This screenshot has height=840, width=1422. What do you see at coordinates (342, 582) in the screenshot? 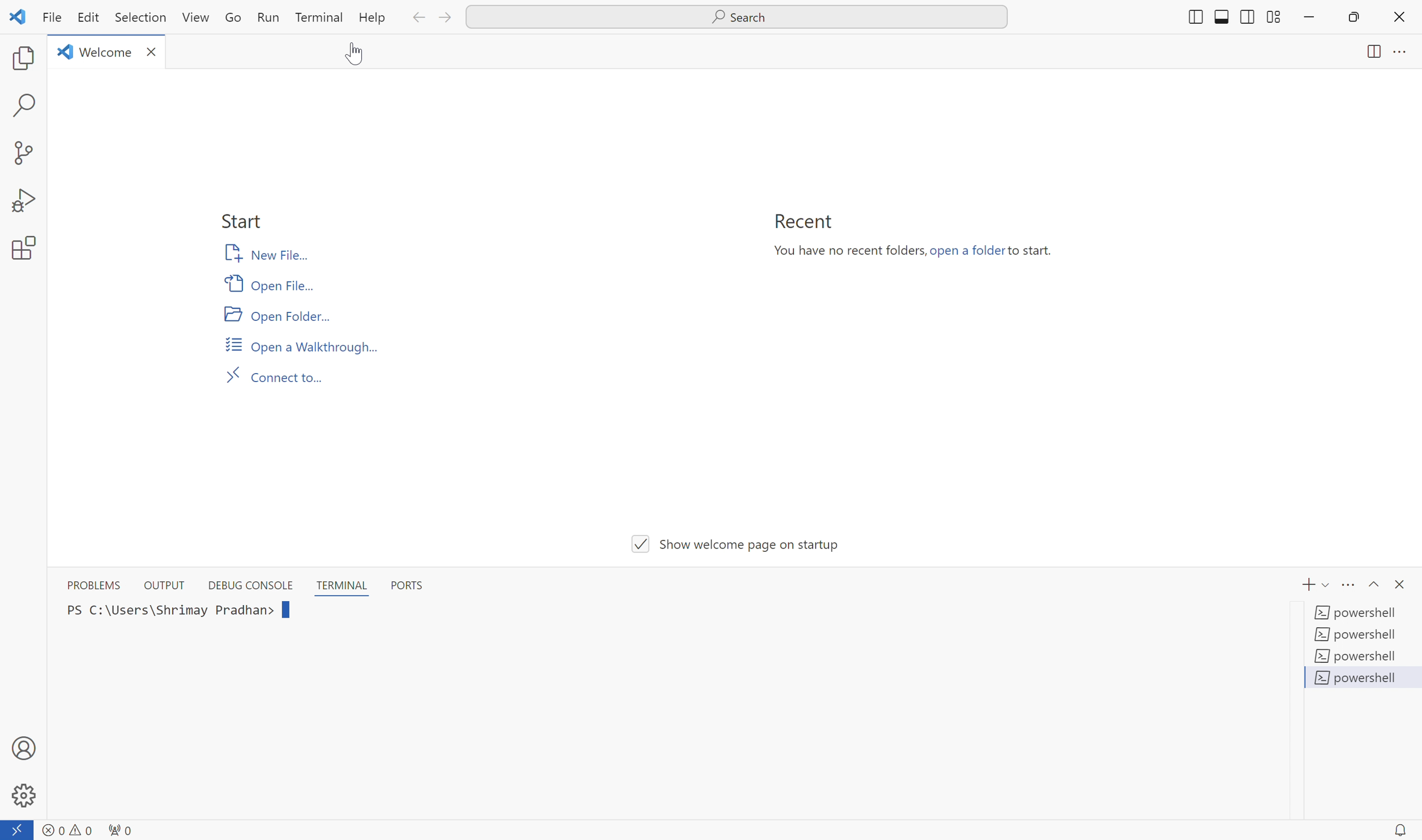
I see `TERMINAL` at bounding box center [342, 582].